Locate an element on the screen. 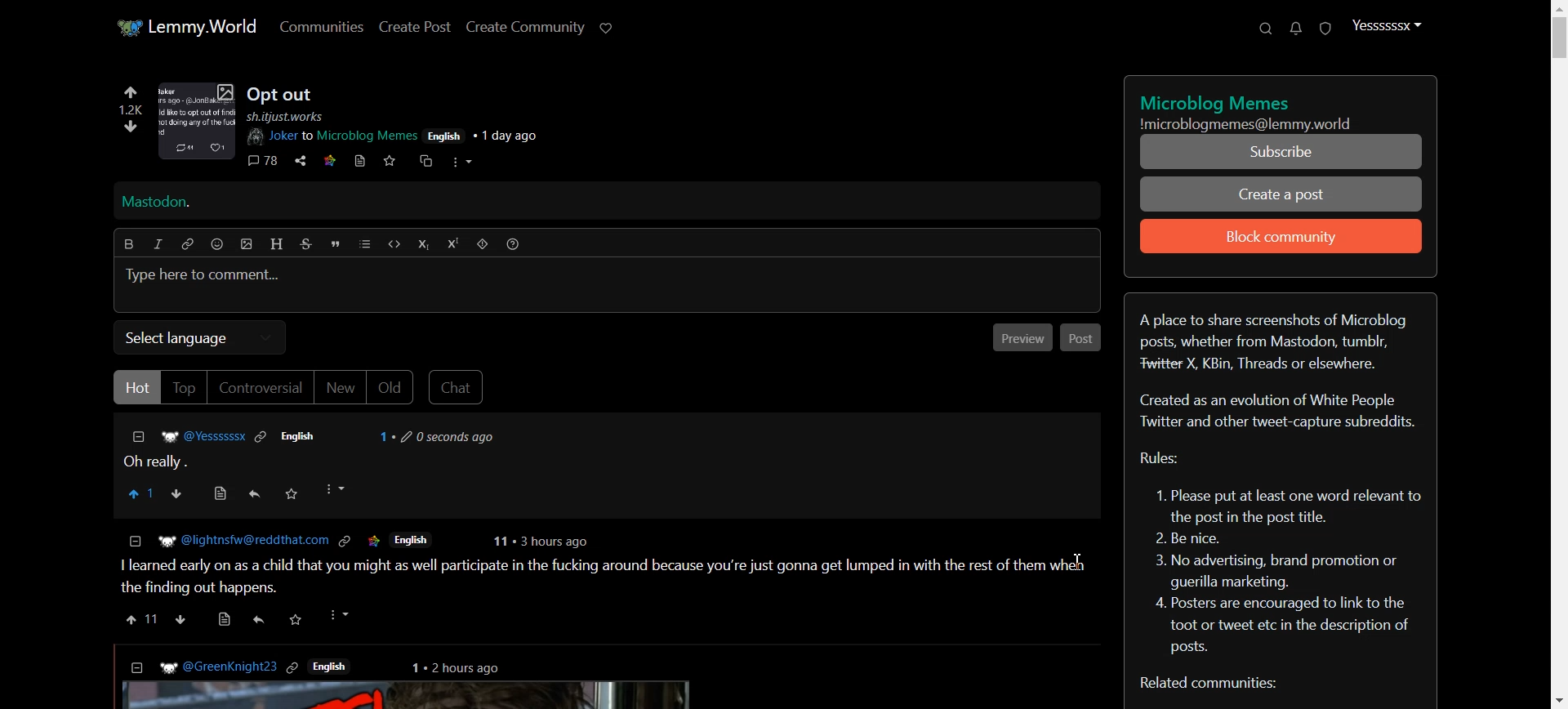 This screenshot has height=709, width=1568. svae is located at coordinates (396, 160).